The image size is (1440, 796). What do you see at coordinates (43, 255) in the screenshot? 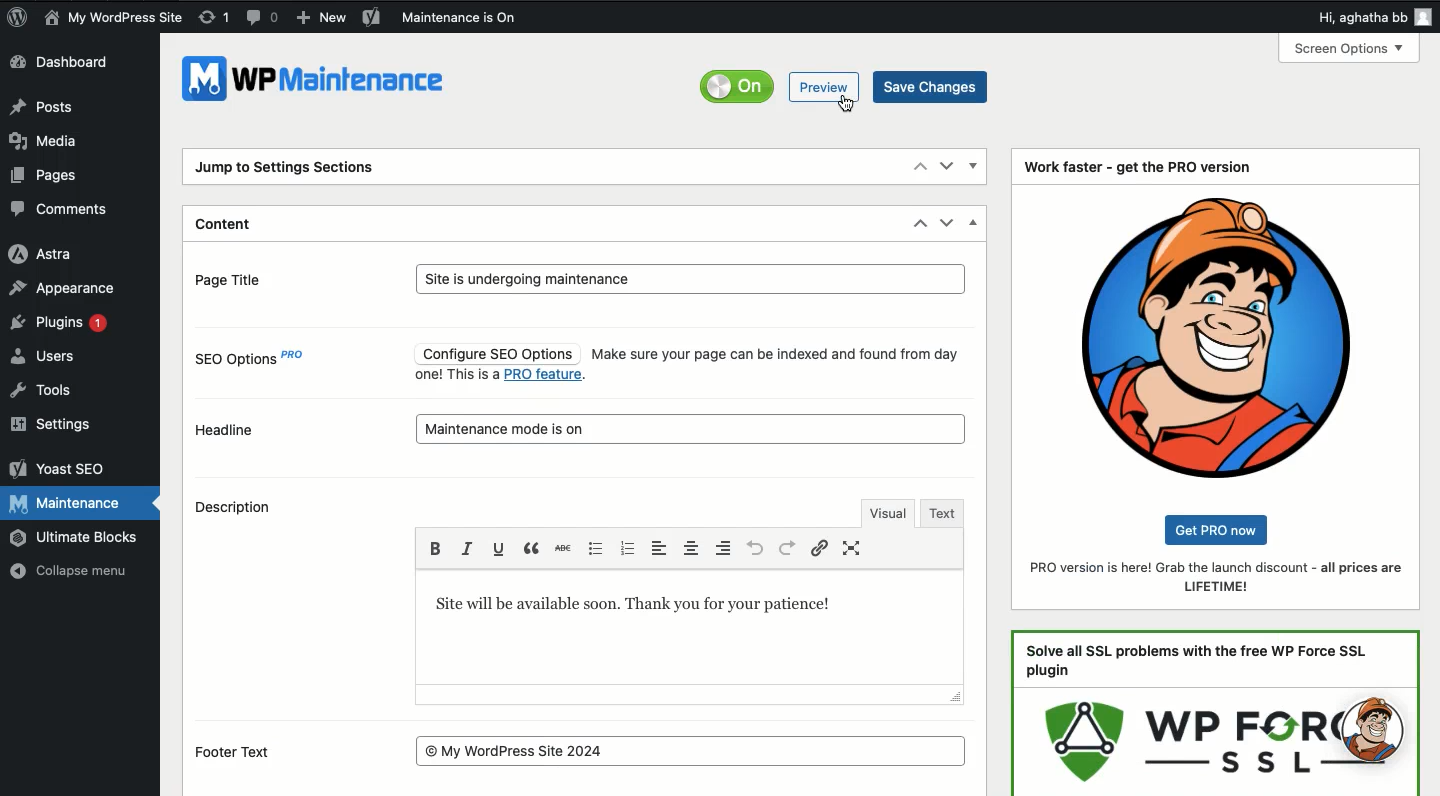
I see `Astra` at bounding box center [43, 255].